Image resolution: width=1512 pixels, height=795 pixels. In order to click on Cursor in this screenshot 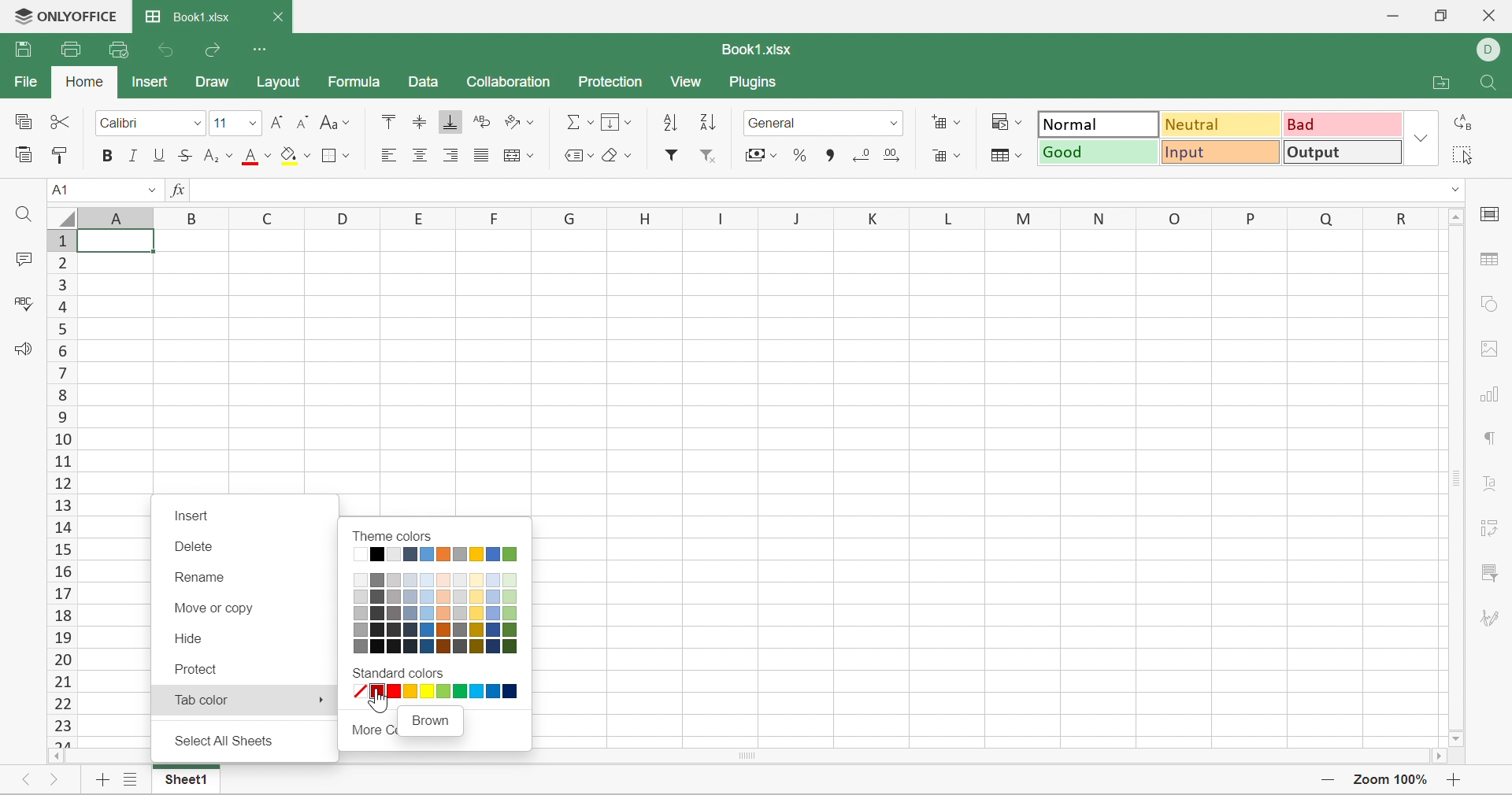, I will do `click(223, 702)`.